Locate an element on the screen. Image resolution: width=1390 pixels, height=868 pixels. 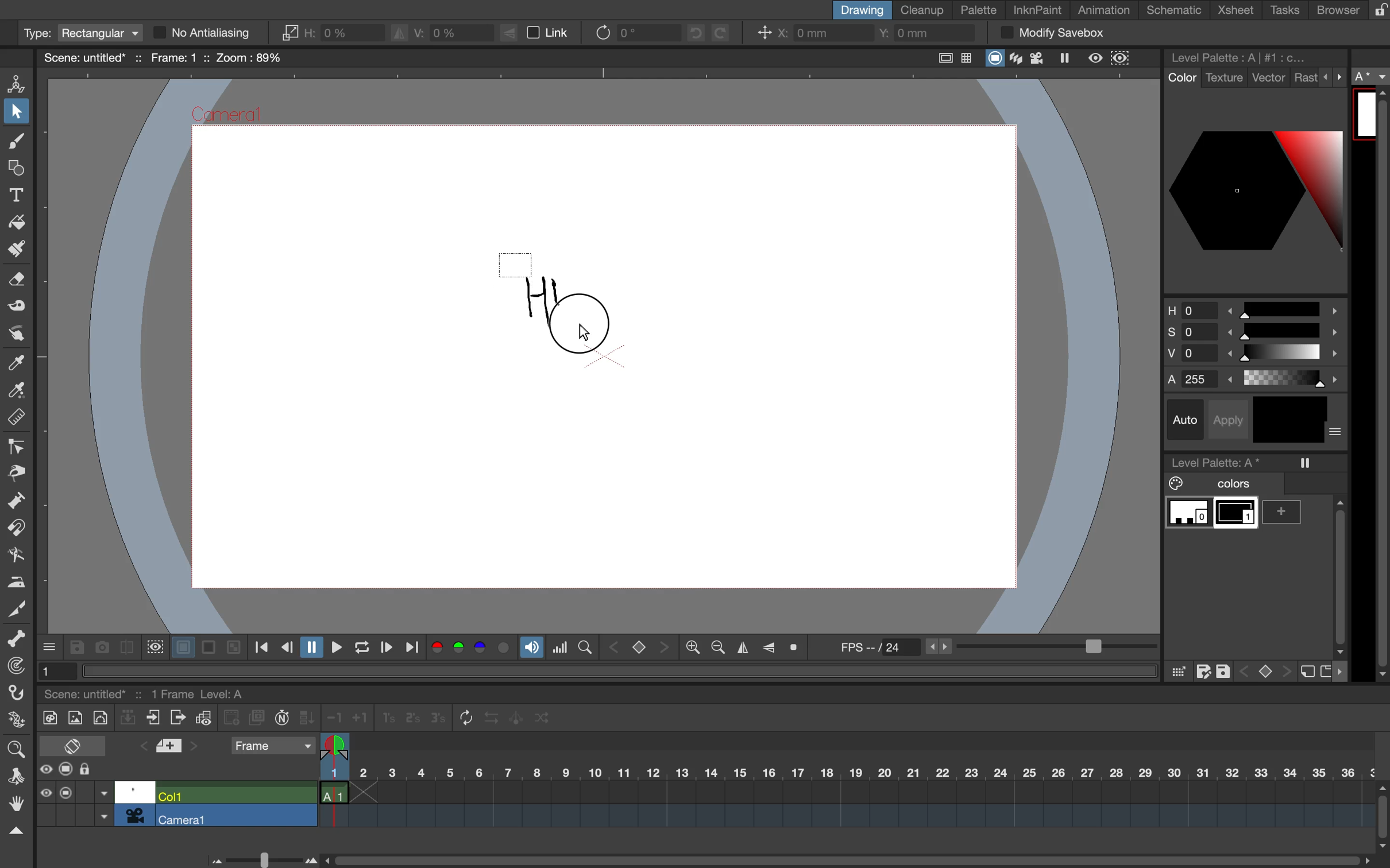
colors is located at coordinates (1217, 484).